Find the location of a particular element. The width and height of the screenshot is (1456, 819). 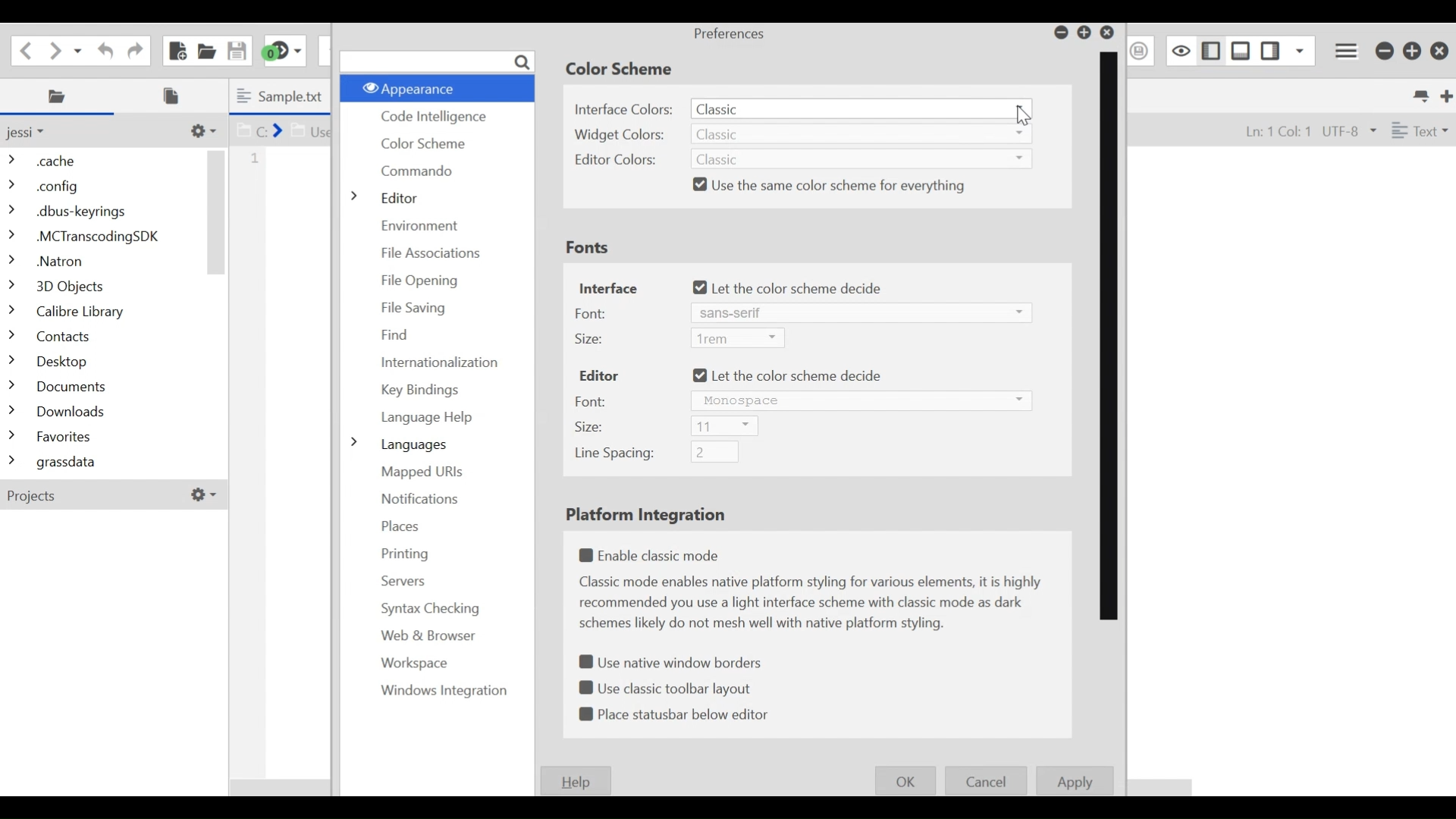

(un)select use native window borders is located at coordinates (675, 660).